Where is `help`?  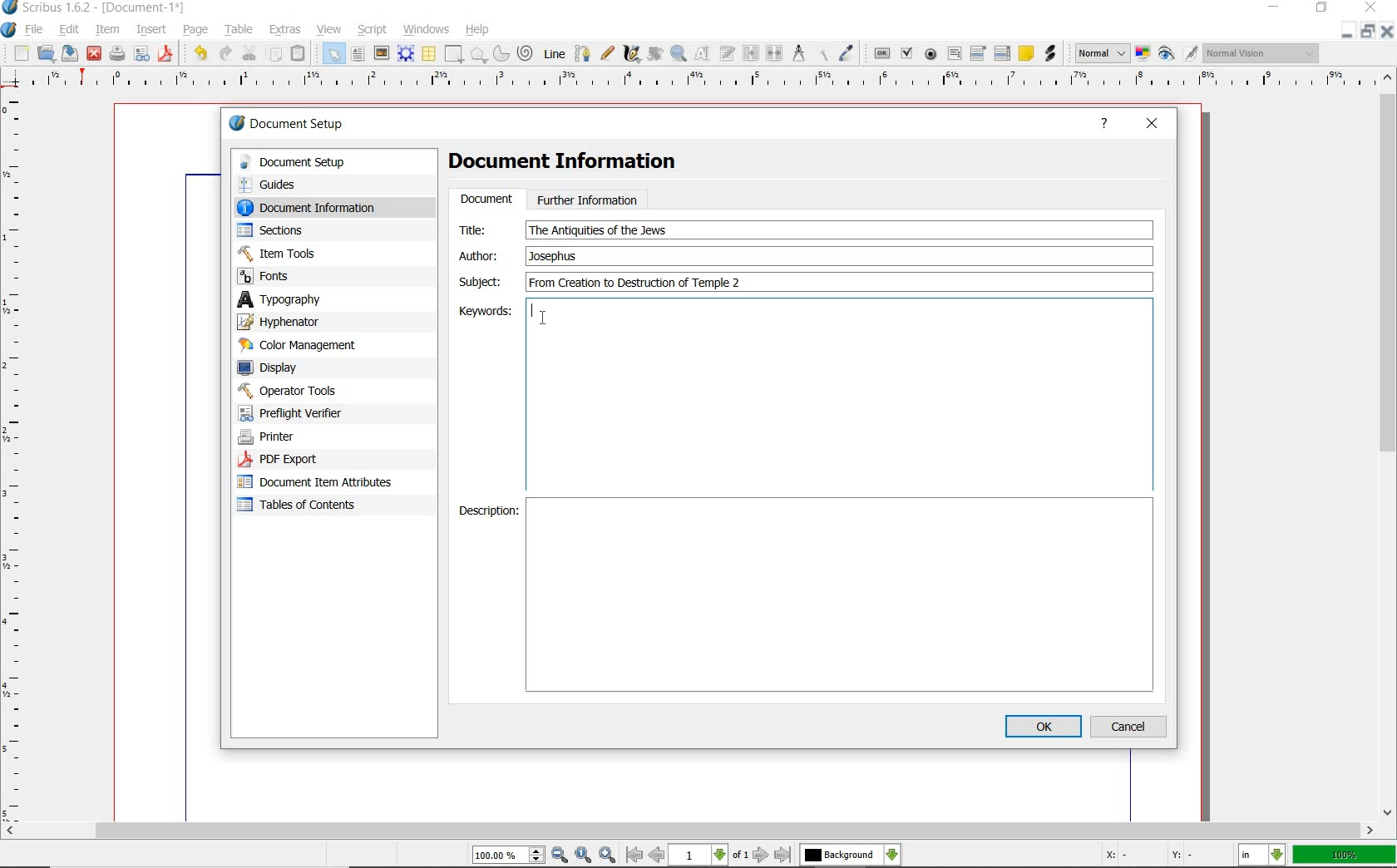 help is located at coordinates (1104, 126).